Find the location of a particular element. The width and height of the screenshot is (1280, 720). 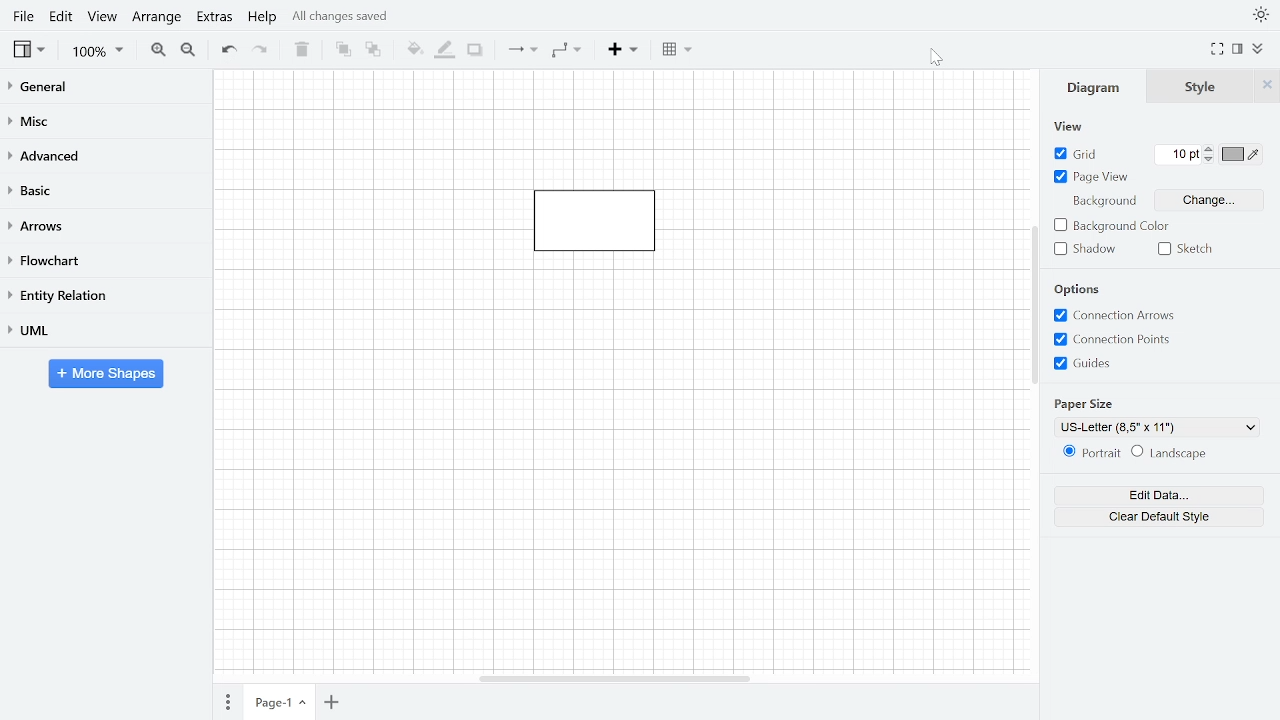

Undo is located at coordinates (229, 52).